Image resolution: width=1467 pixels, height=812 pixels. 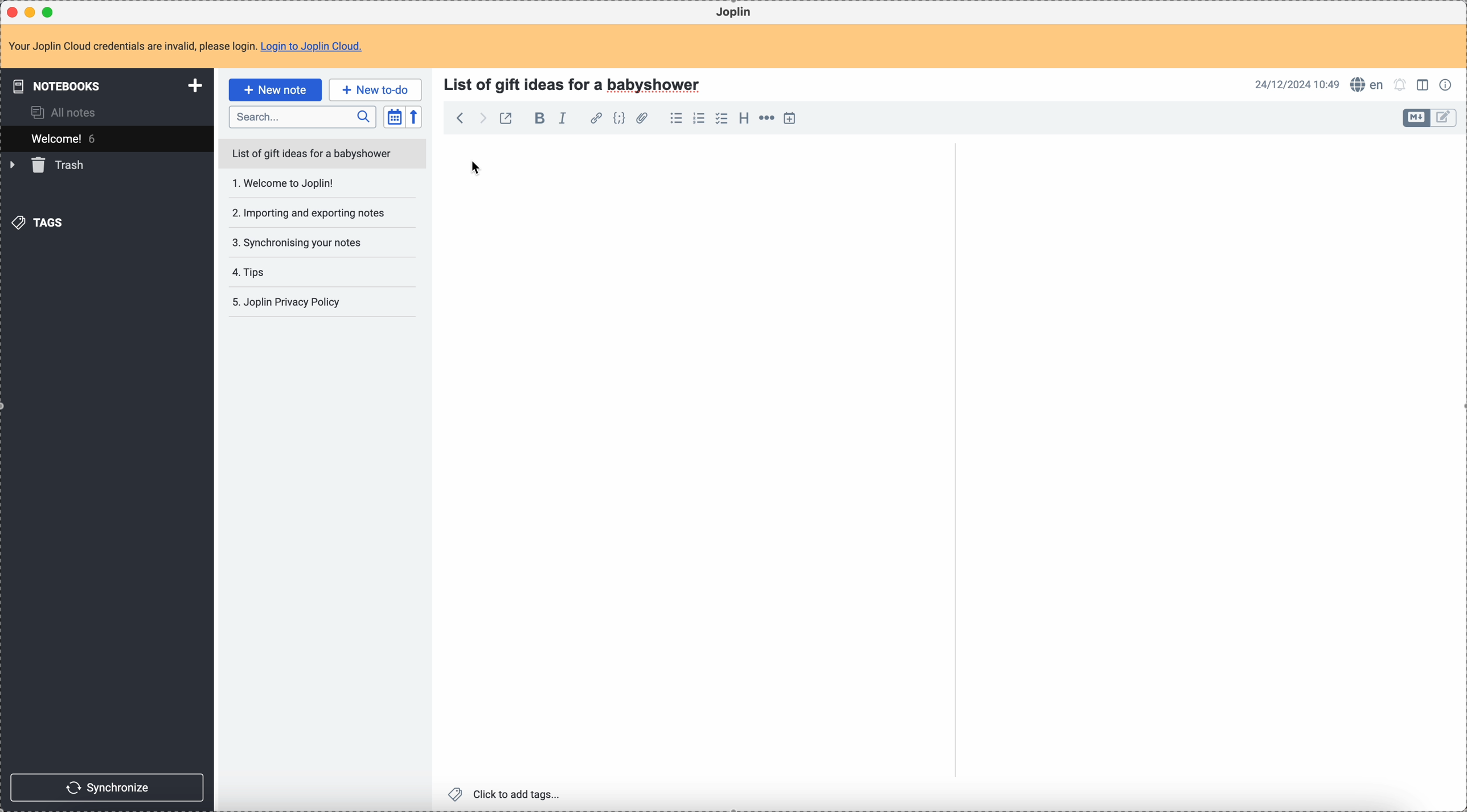 What do you see at coordinates (505, 794) in the screenshot?
I see `click to add tags` at bounding box center [505, 794].